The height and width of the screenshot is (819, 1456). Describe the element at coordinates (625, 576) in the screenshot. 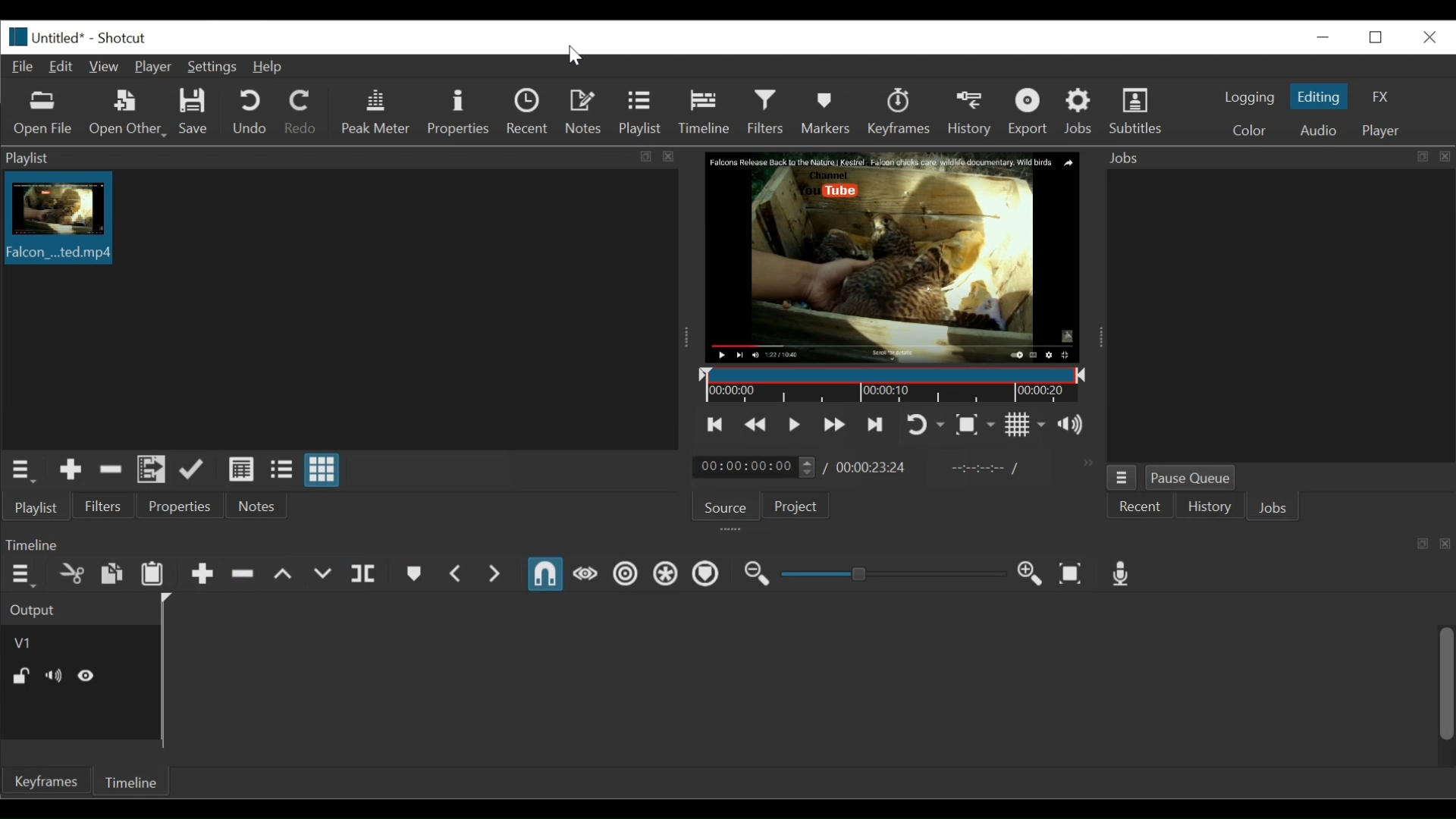

I see `Ripple` at that location.